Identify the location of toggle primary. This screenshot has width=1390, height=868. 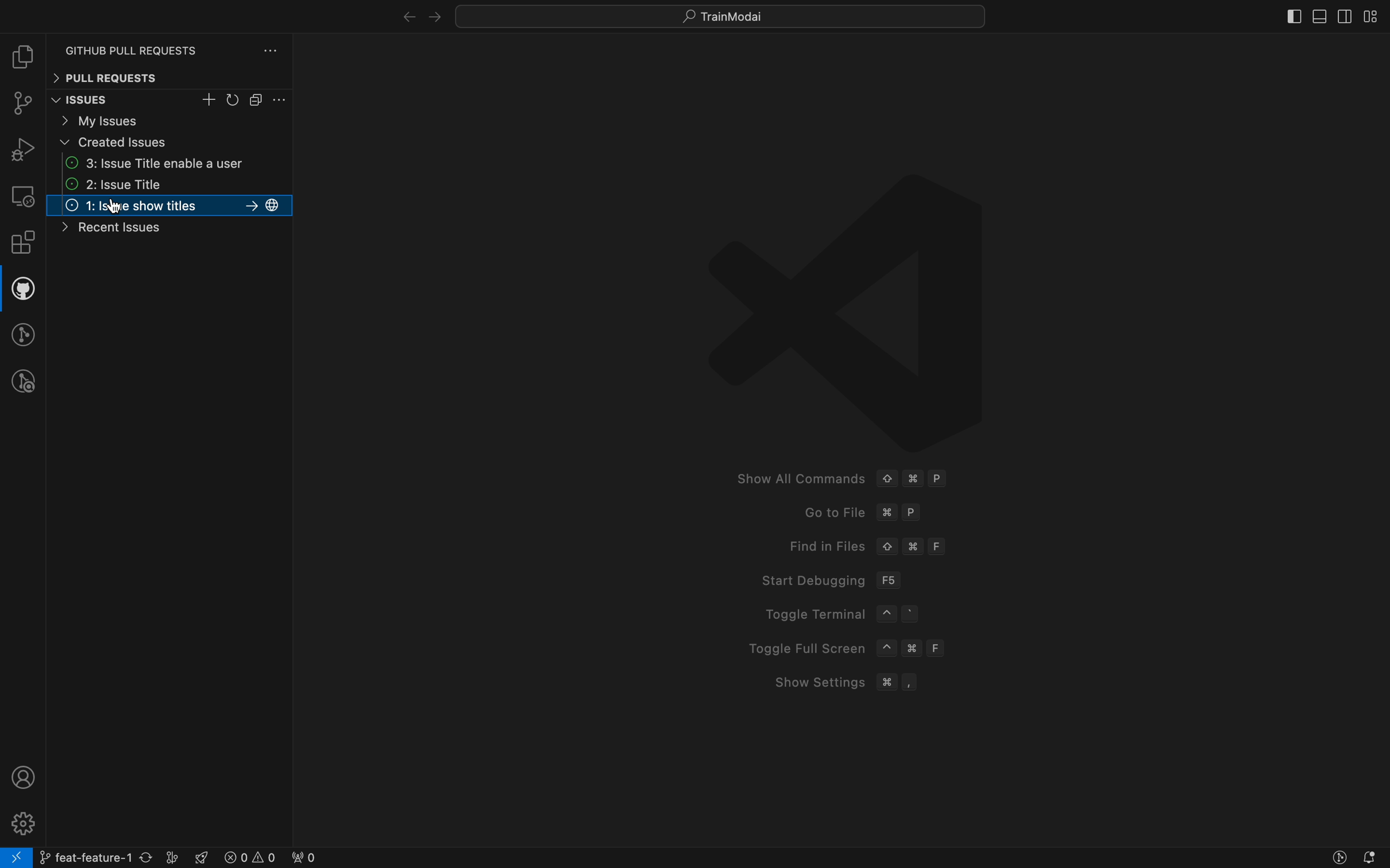
(1320, 14).